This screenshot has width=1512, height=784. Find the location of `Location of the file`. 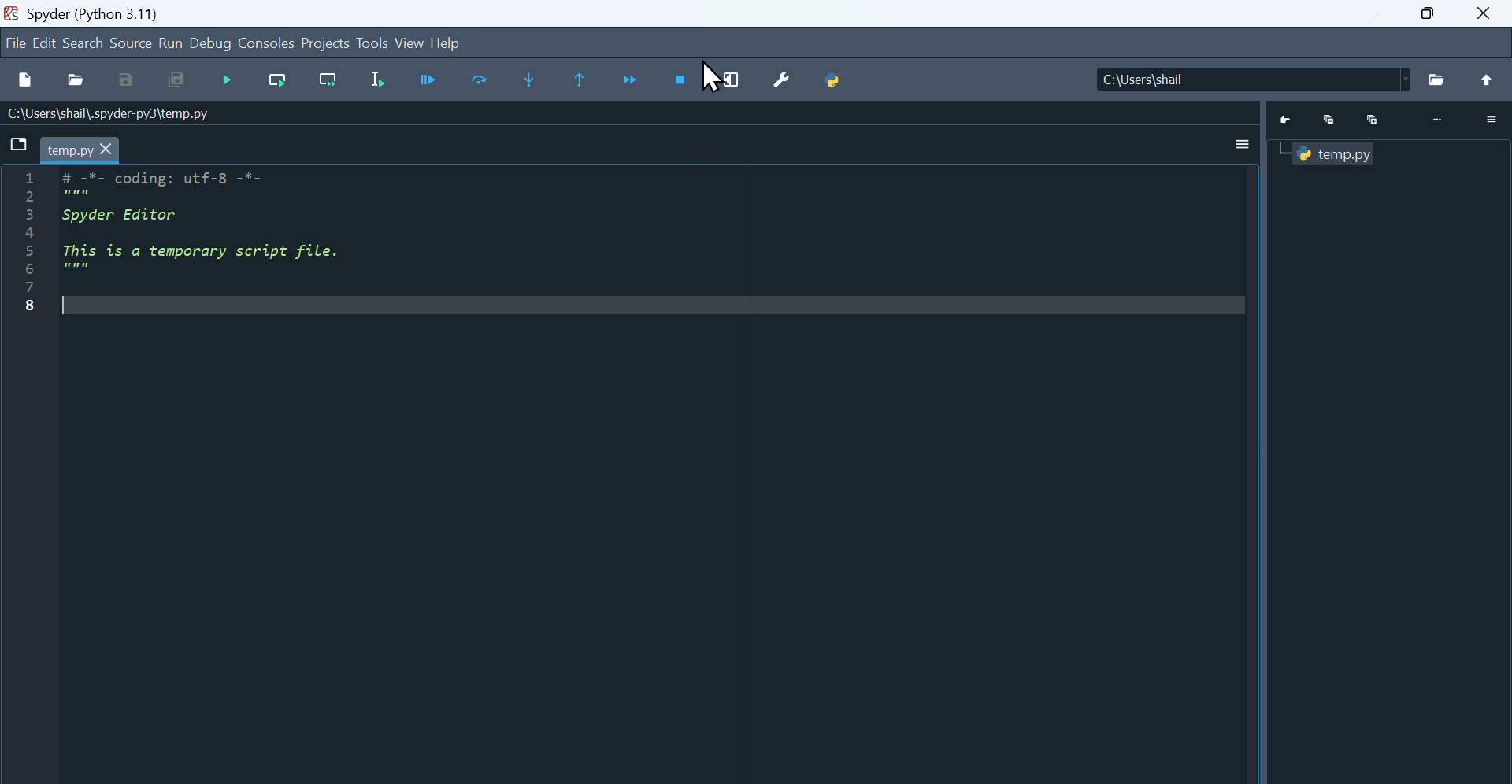

Location of the file is located at coordinates (1299, 81).